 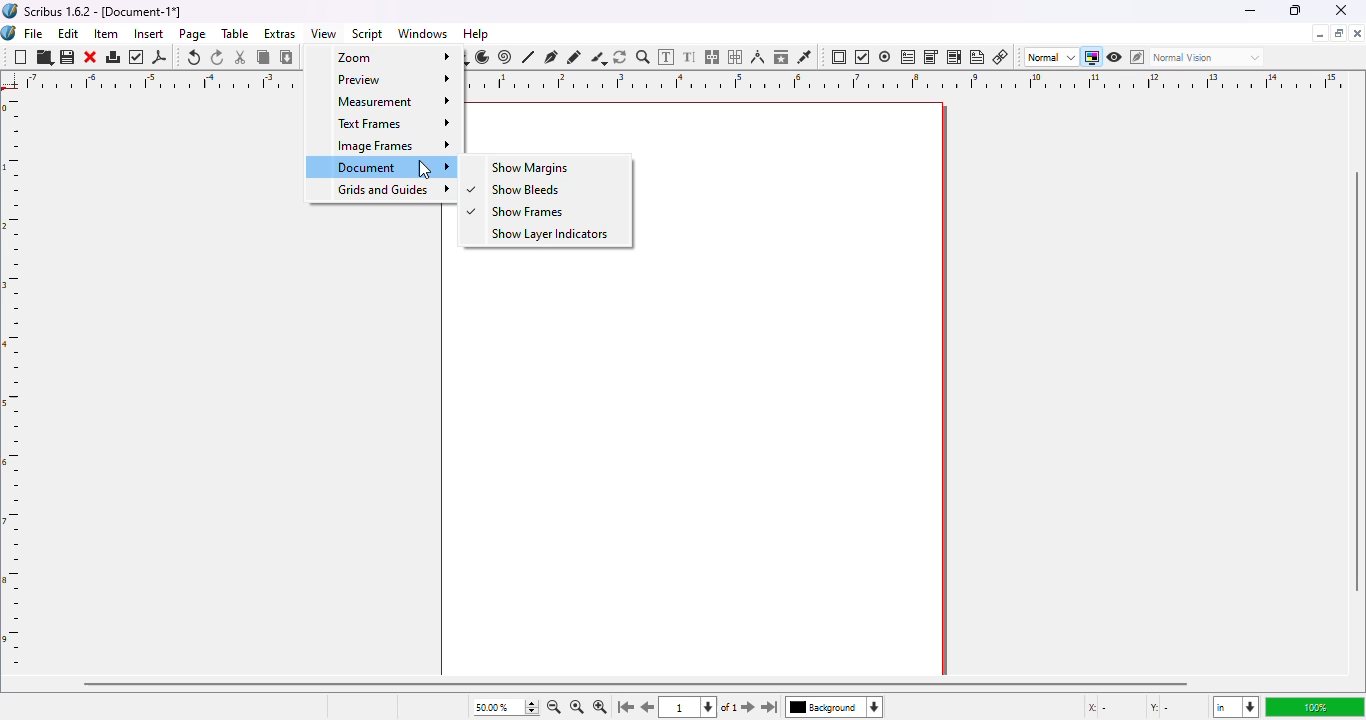 I want to click on horizontal scroll bar, so click(x=635, y=683).